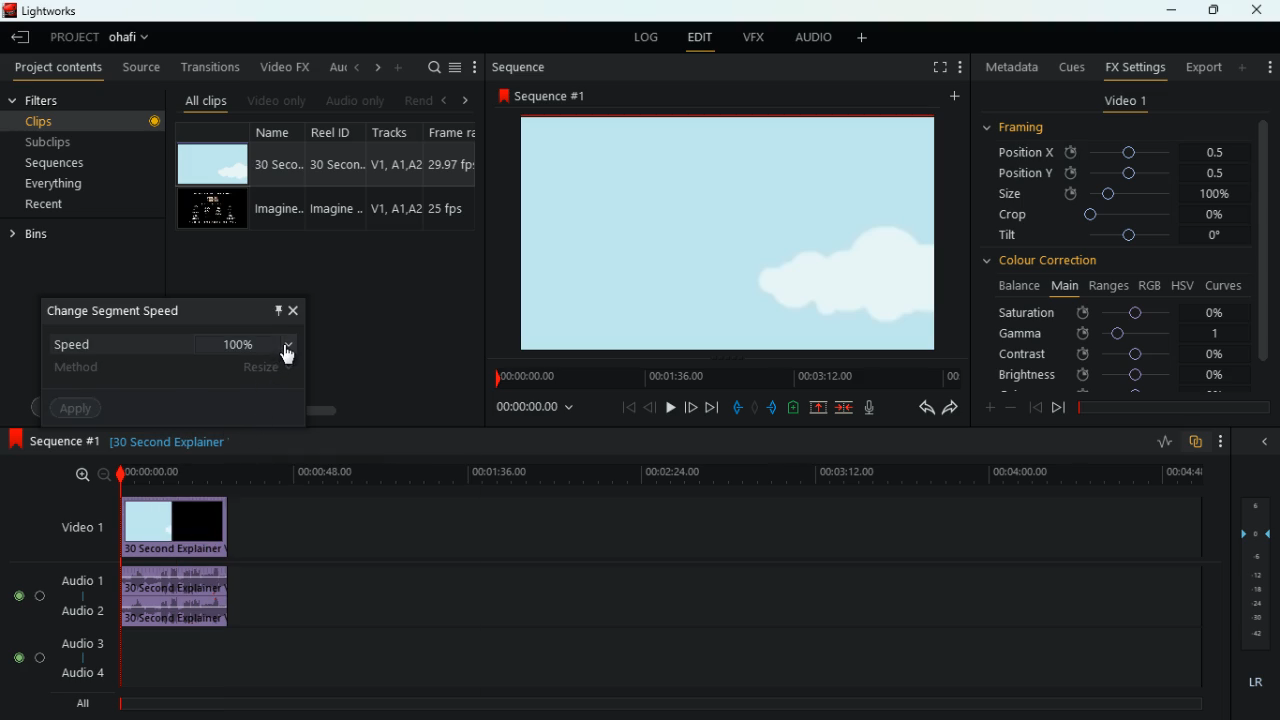  What do you see at coordinates (84, 580) in the screenshot?
I see `audio 1` at bounding box center [84, 580].